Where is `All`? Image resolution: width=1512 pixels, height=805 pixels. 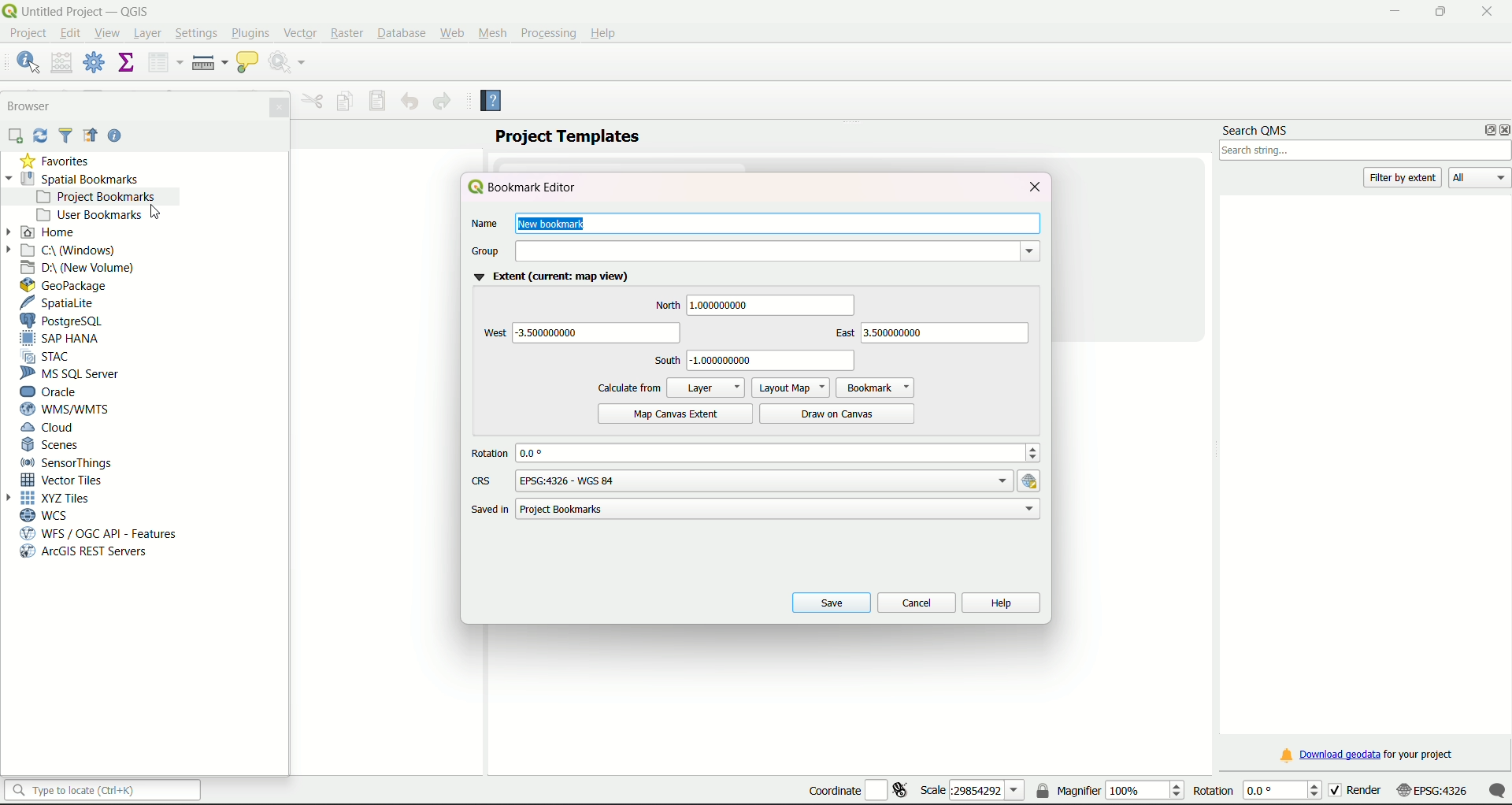
All is located at coordinates (1480, 177).